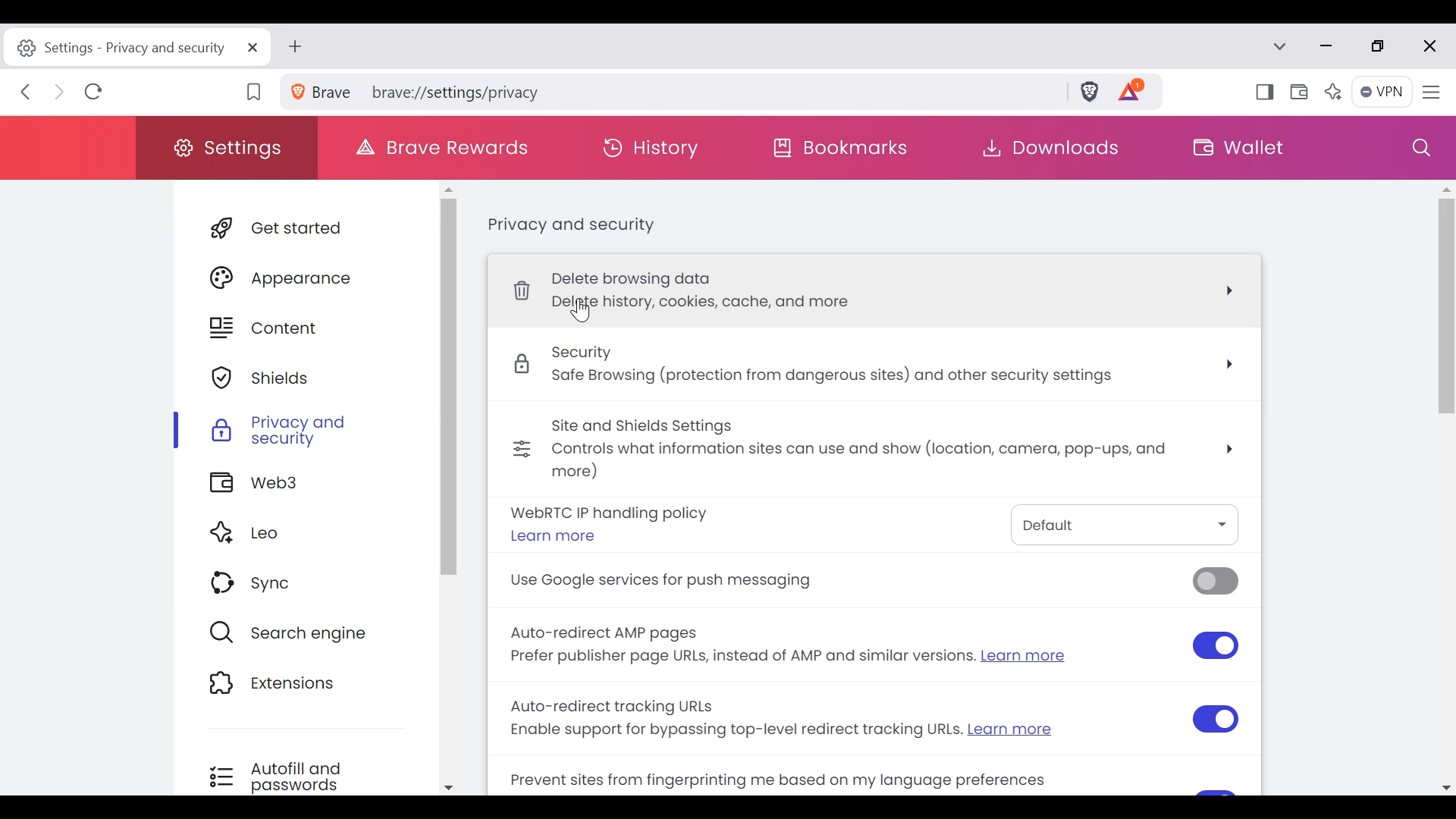  Describe the element at coordinates (297, 686) in the screenshot. I see `Extensions` at that location.